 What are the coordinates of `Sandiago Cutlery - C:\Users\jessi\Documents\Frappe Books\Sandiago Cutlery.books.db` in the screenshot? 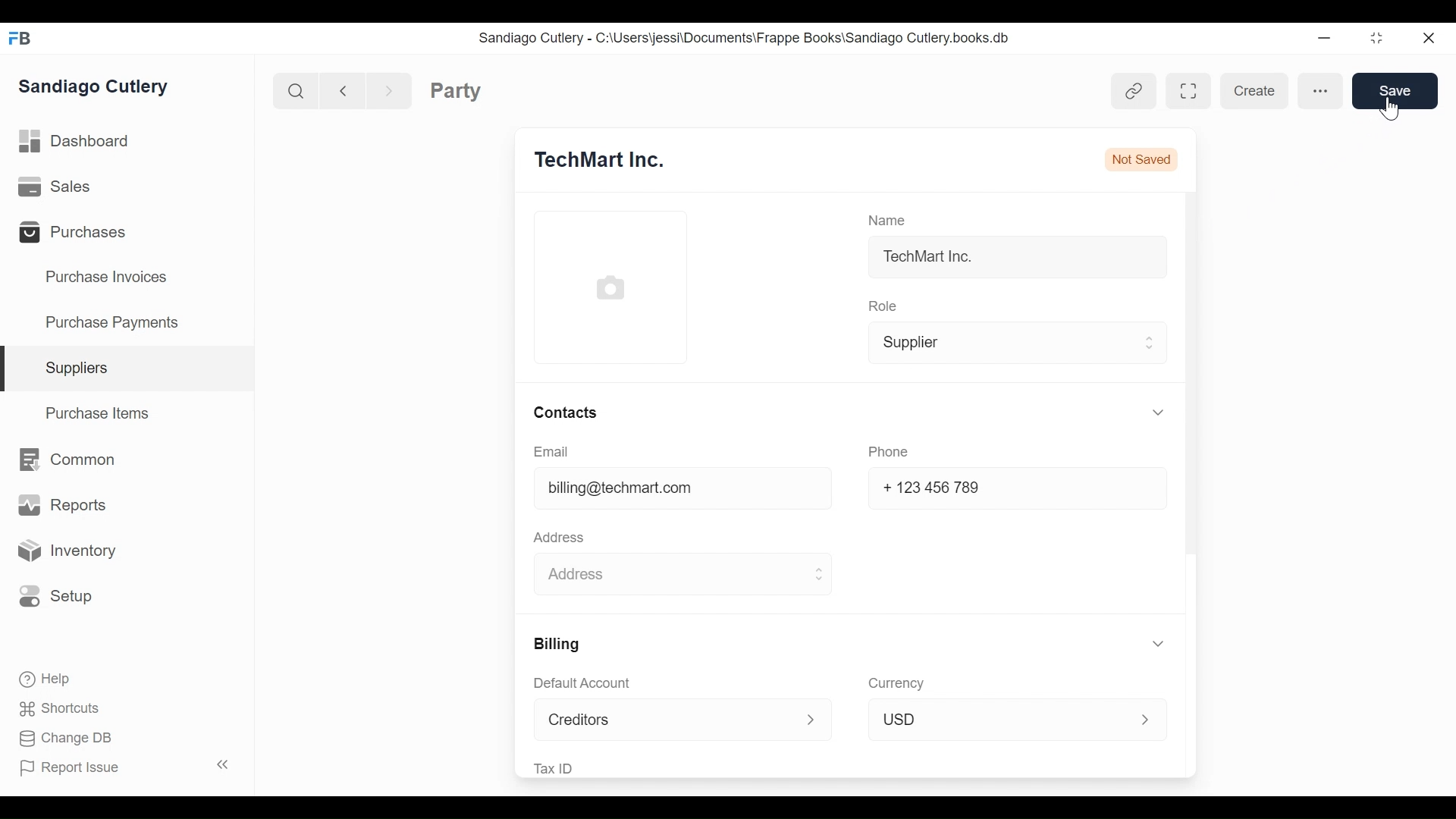 It's located at (758, 39).